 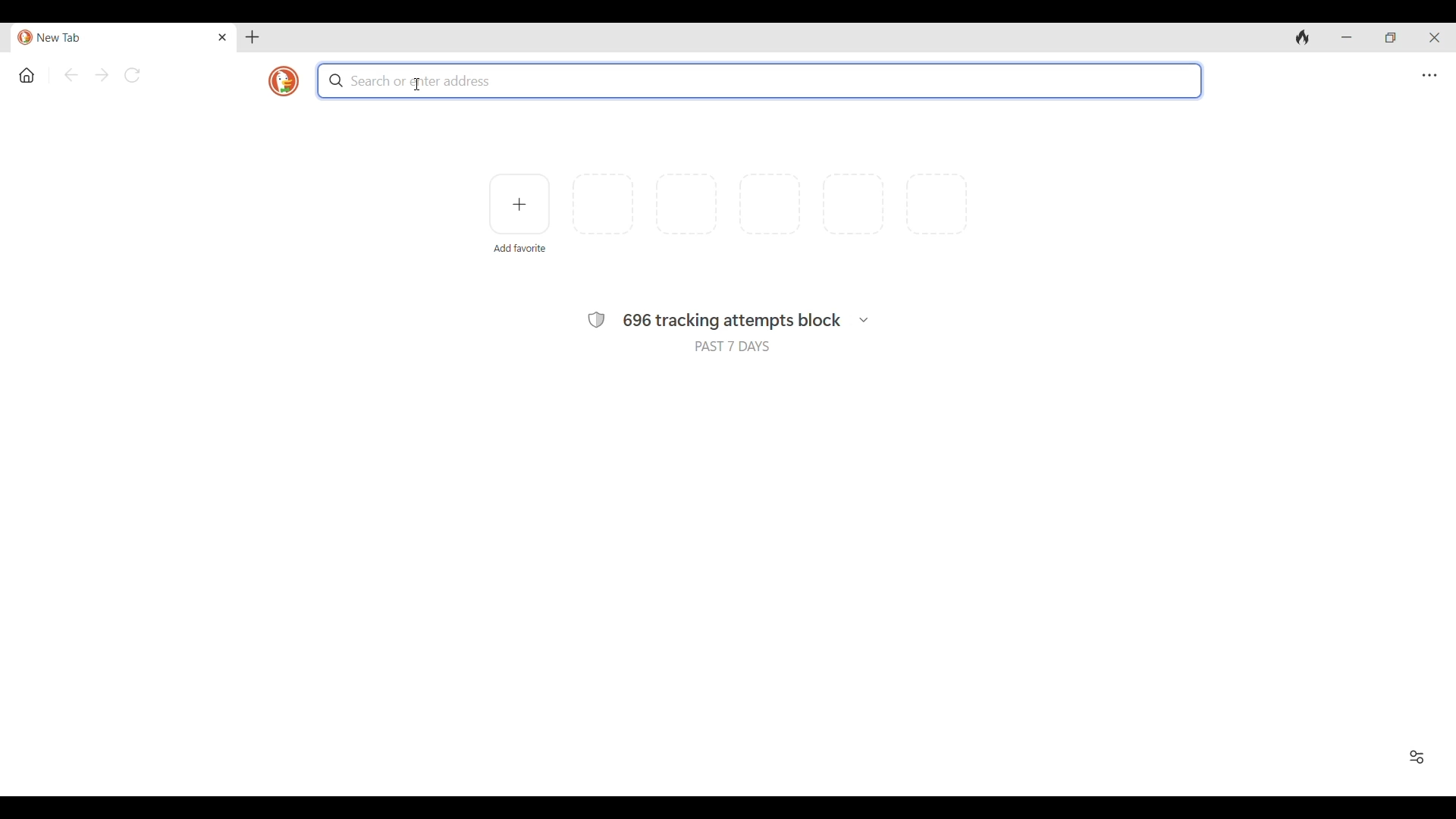 I want to click on Add favorite, so click(x=519, y=249).